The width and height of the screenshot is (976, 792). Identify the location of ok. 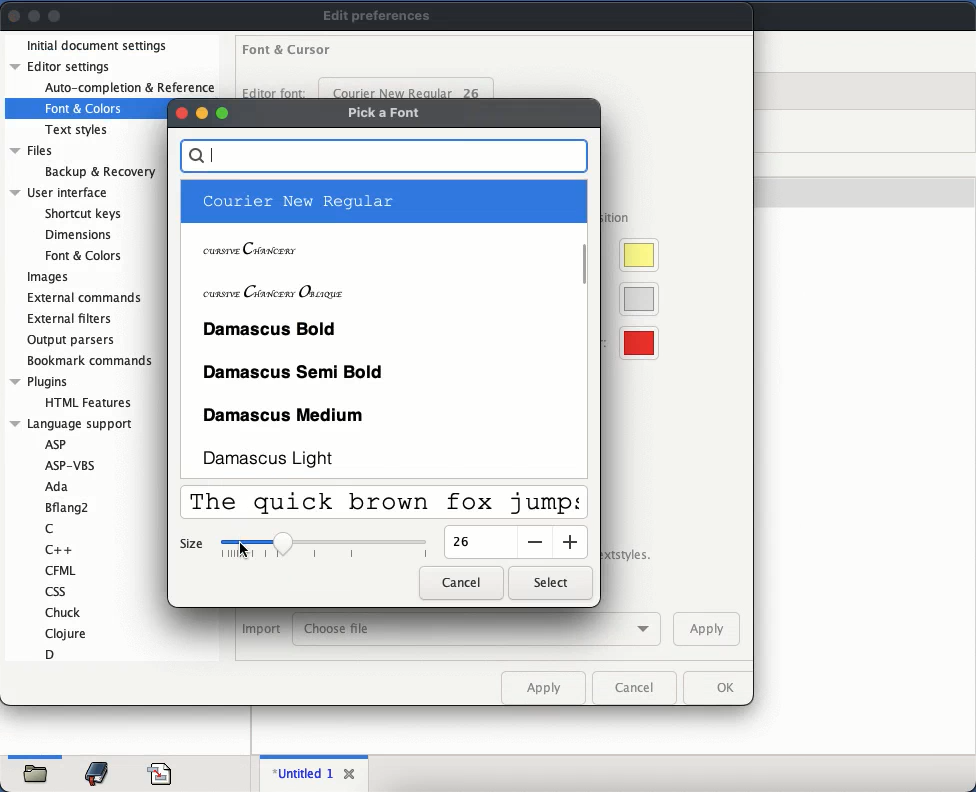
(720, 689).